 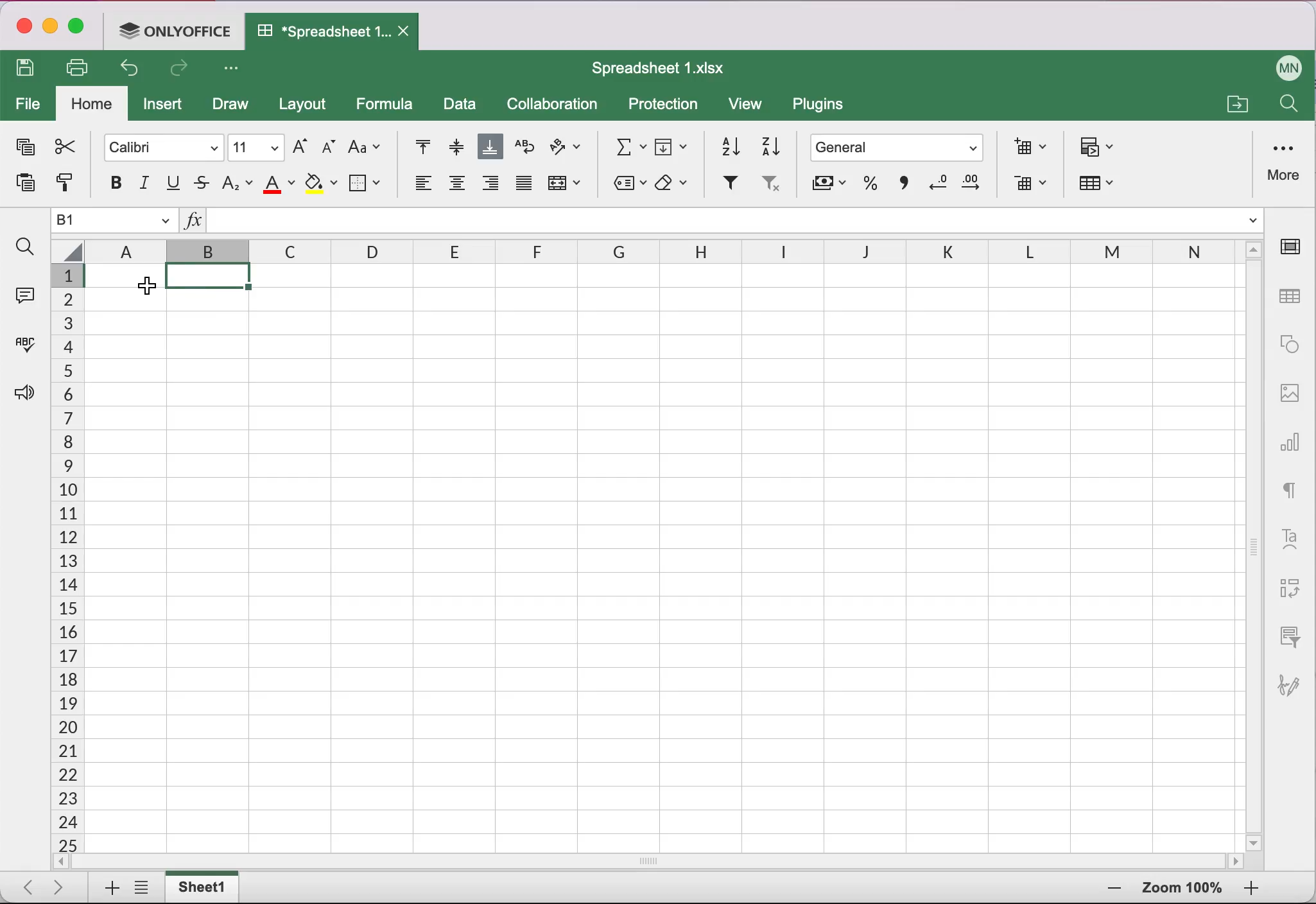 What do you see at coordinates (1287, 589) in the screenshot?
I see `pivot table` at bounding box center [1287, 589].